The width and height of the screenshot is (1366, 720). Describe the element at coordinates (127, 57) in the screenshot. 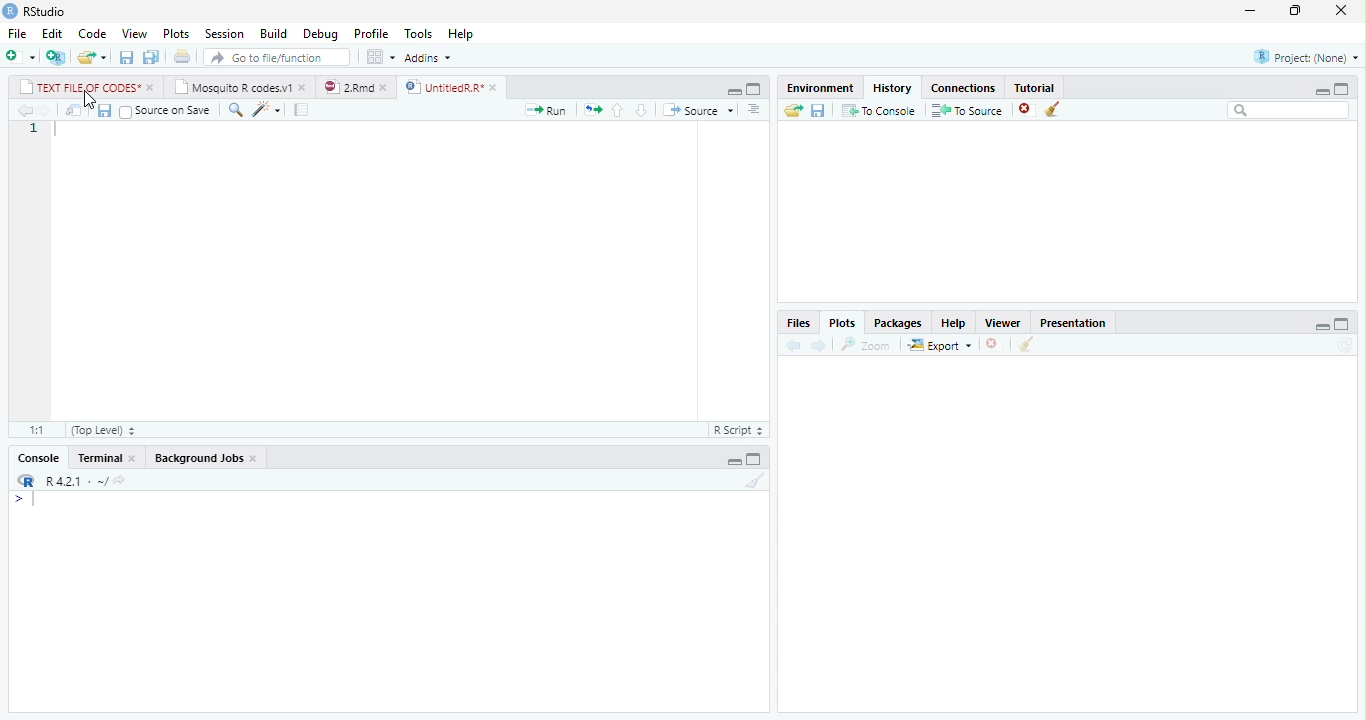

I see `save` at that location.